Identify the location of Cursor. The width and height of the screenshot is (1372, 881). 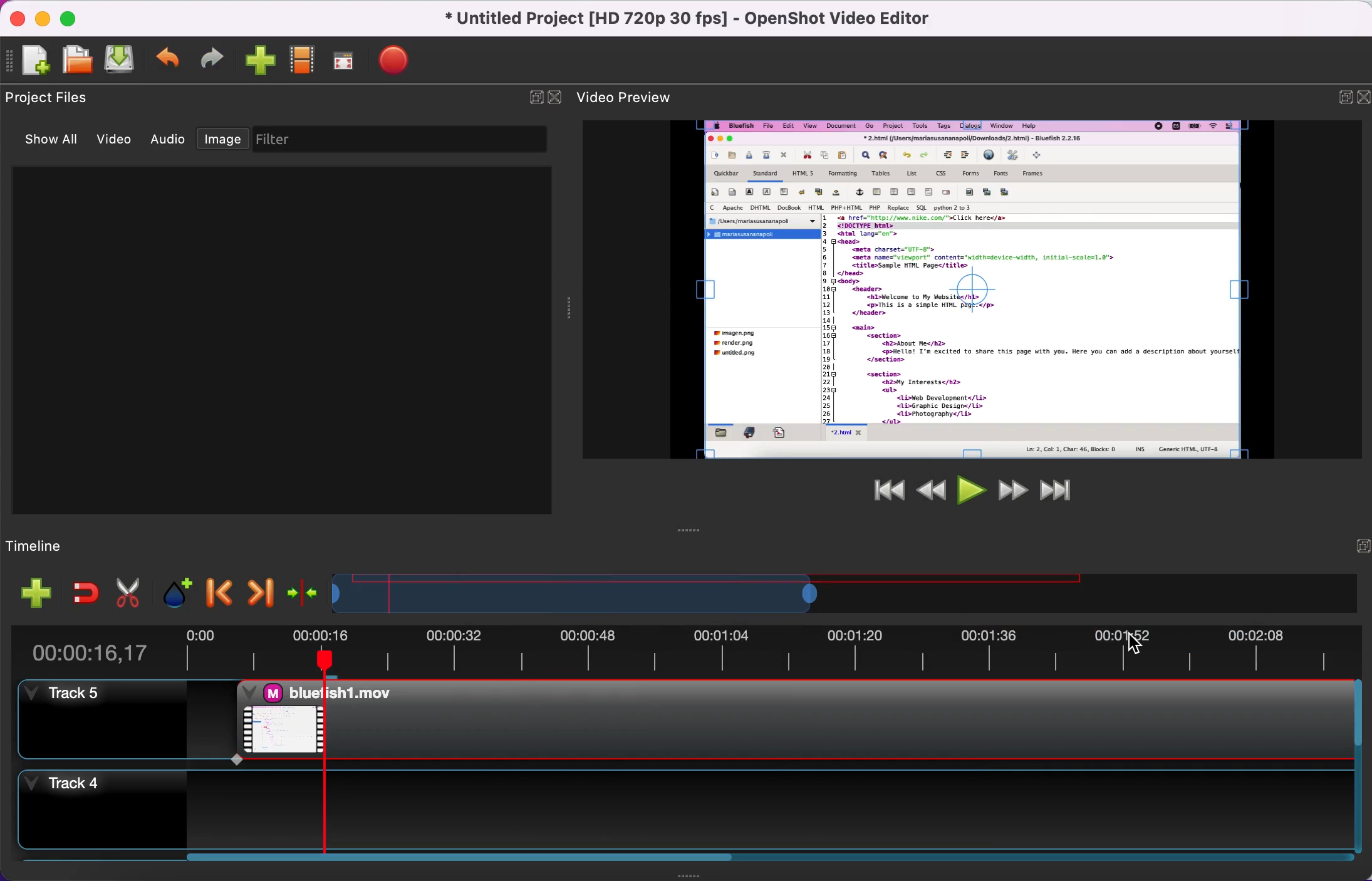
(1135, 646).